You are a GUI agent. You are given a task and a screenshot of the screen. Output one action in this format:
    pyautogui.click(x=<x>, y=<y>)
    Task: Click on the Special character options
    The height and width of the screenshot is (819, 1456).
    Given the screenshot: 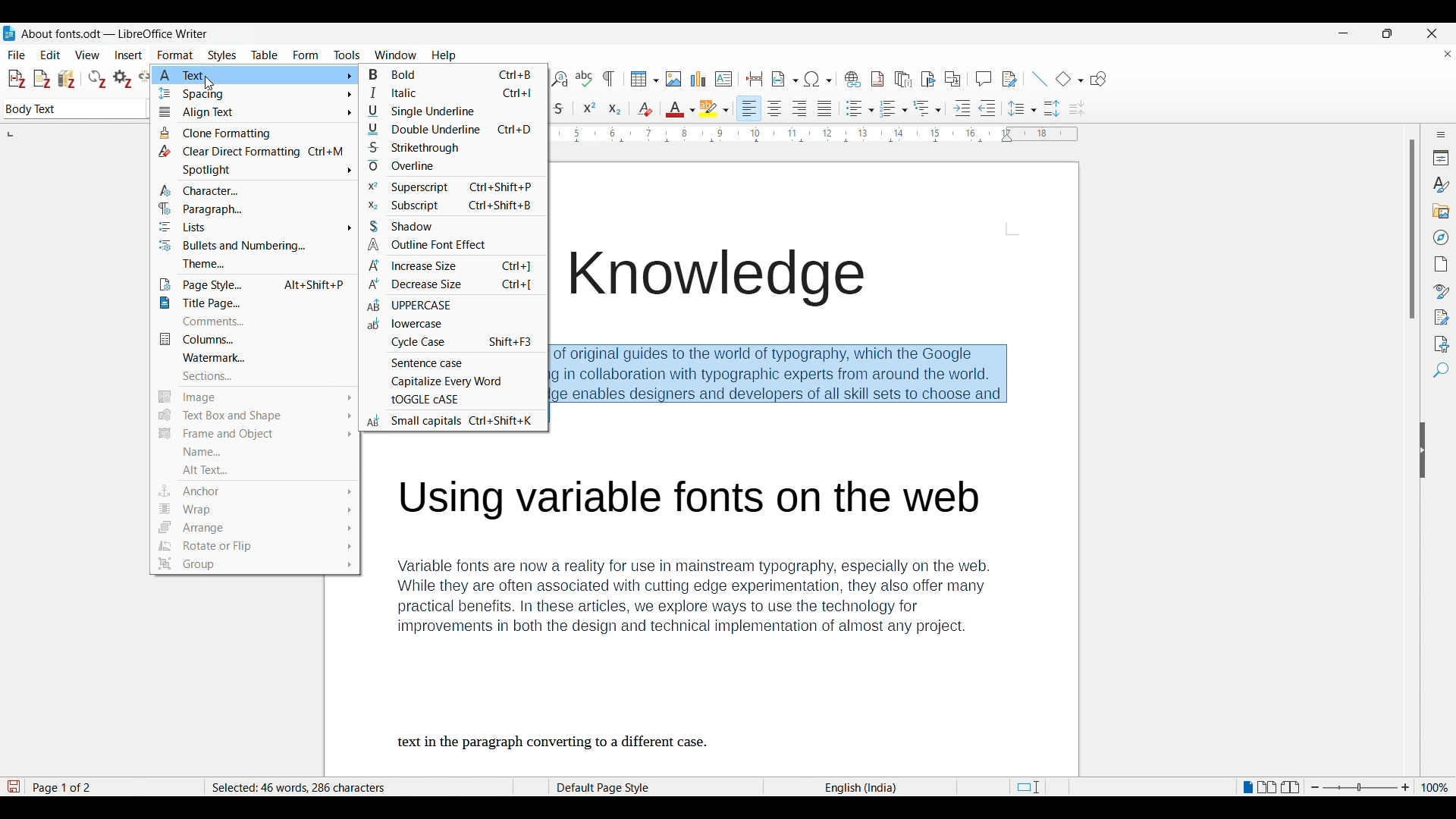 What is the action you would take?
    pyautogui.click(x=819, y=79)
    